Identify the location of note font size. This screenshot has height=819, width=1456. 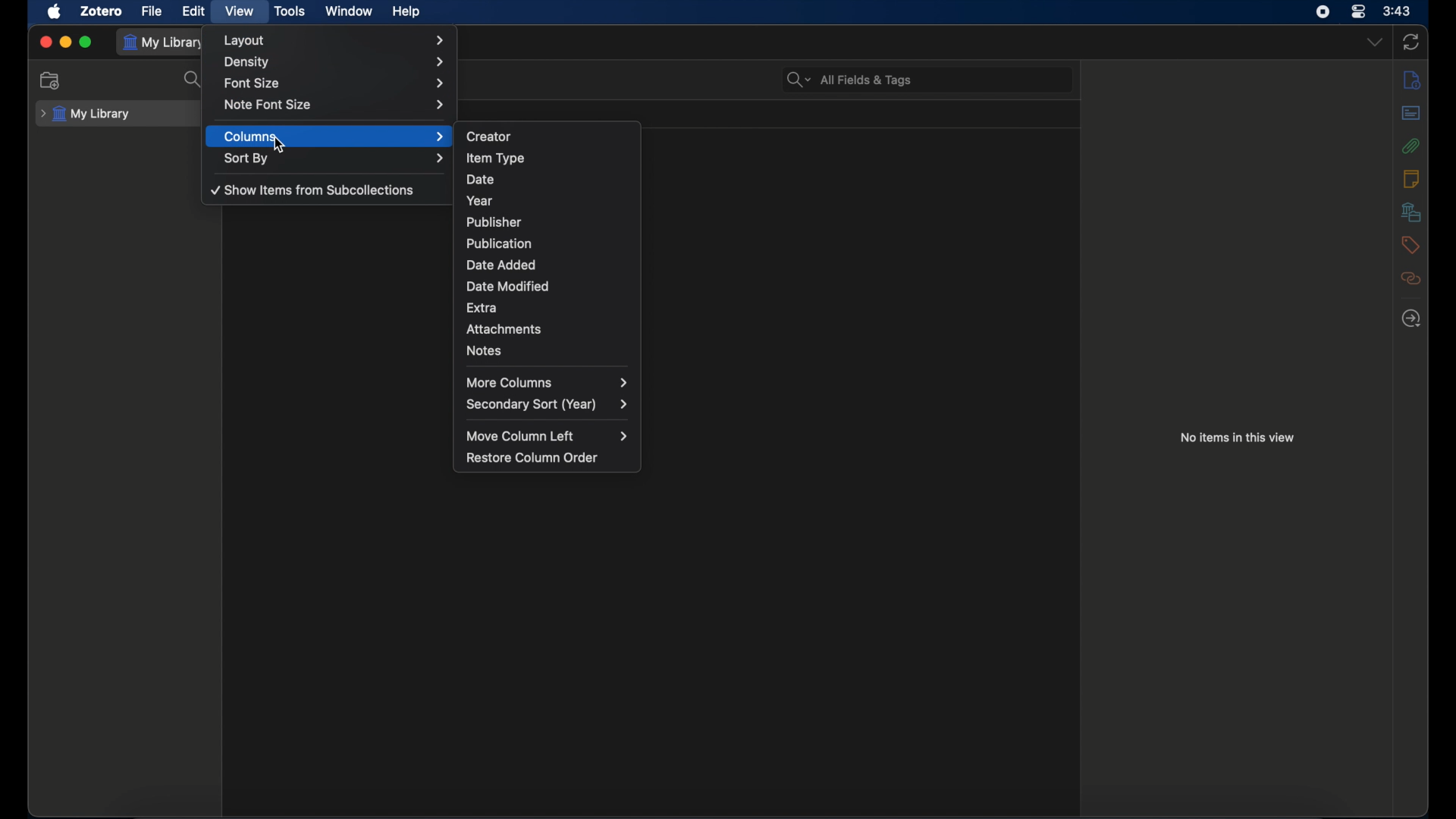
(336, 105).